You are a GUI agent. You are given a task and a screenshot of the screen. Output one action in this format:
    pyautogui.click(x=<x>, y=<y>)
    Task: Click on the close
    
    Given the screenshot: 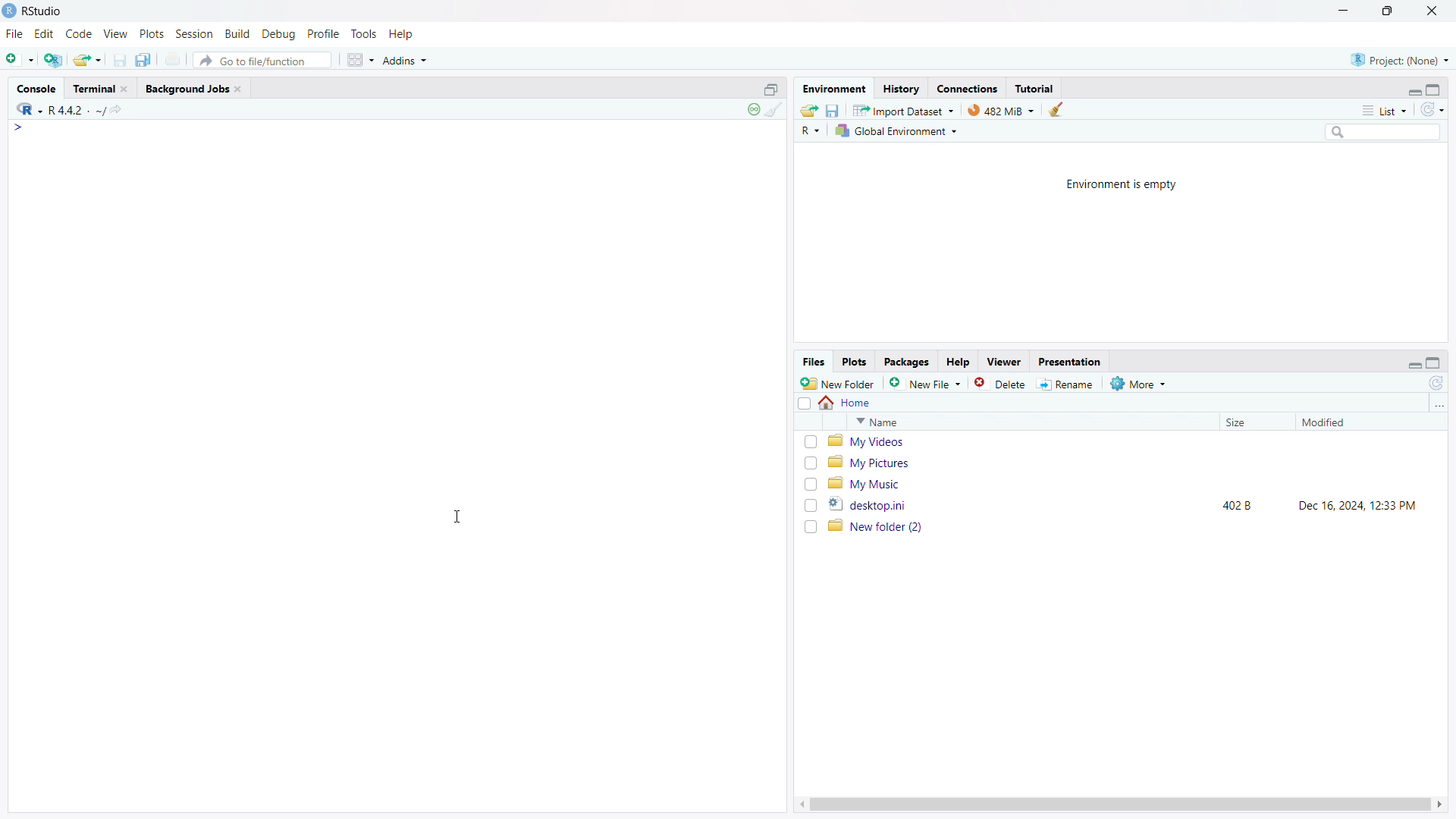 What is the action you would take?
    pyautogui.click(x=124, y=89)
    